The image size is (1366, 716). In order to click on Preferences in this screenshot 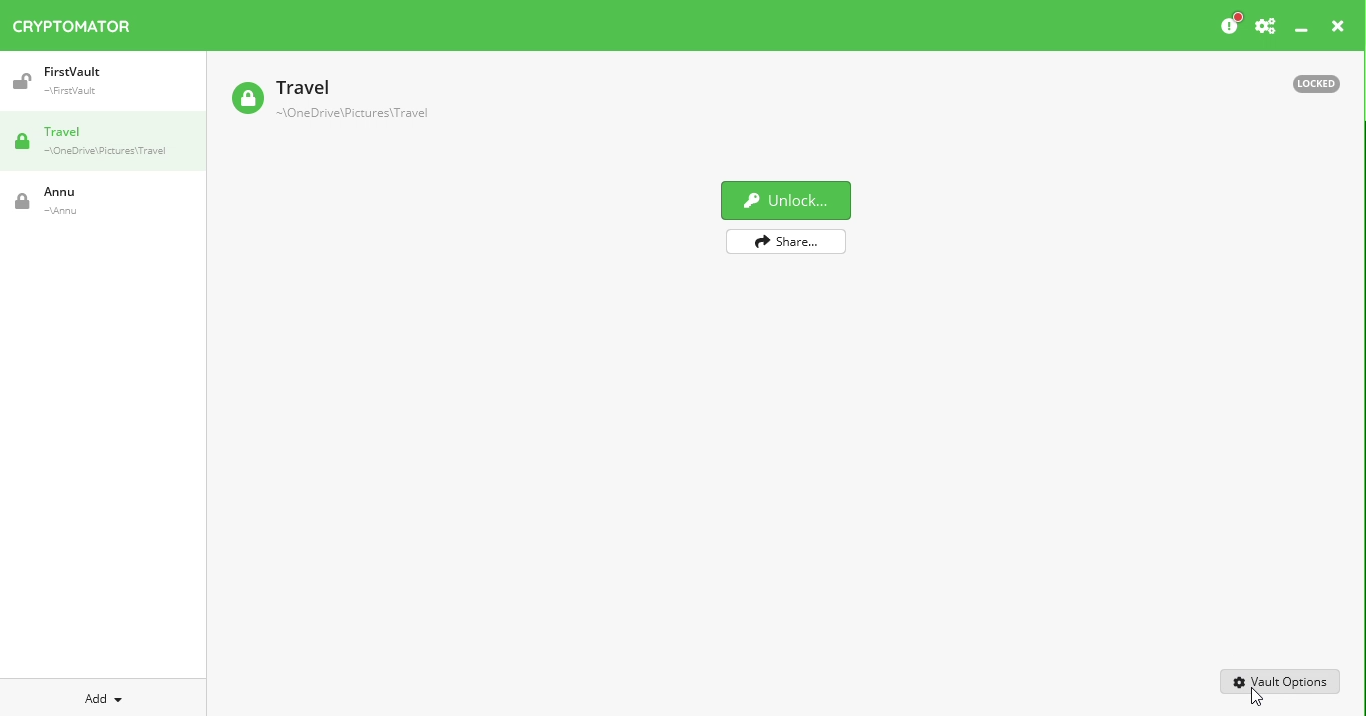, I will do `click(1265, 27)`.